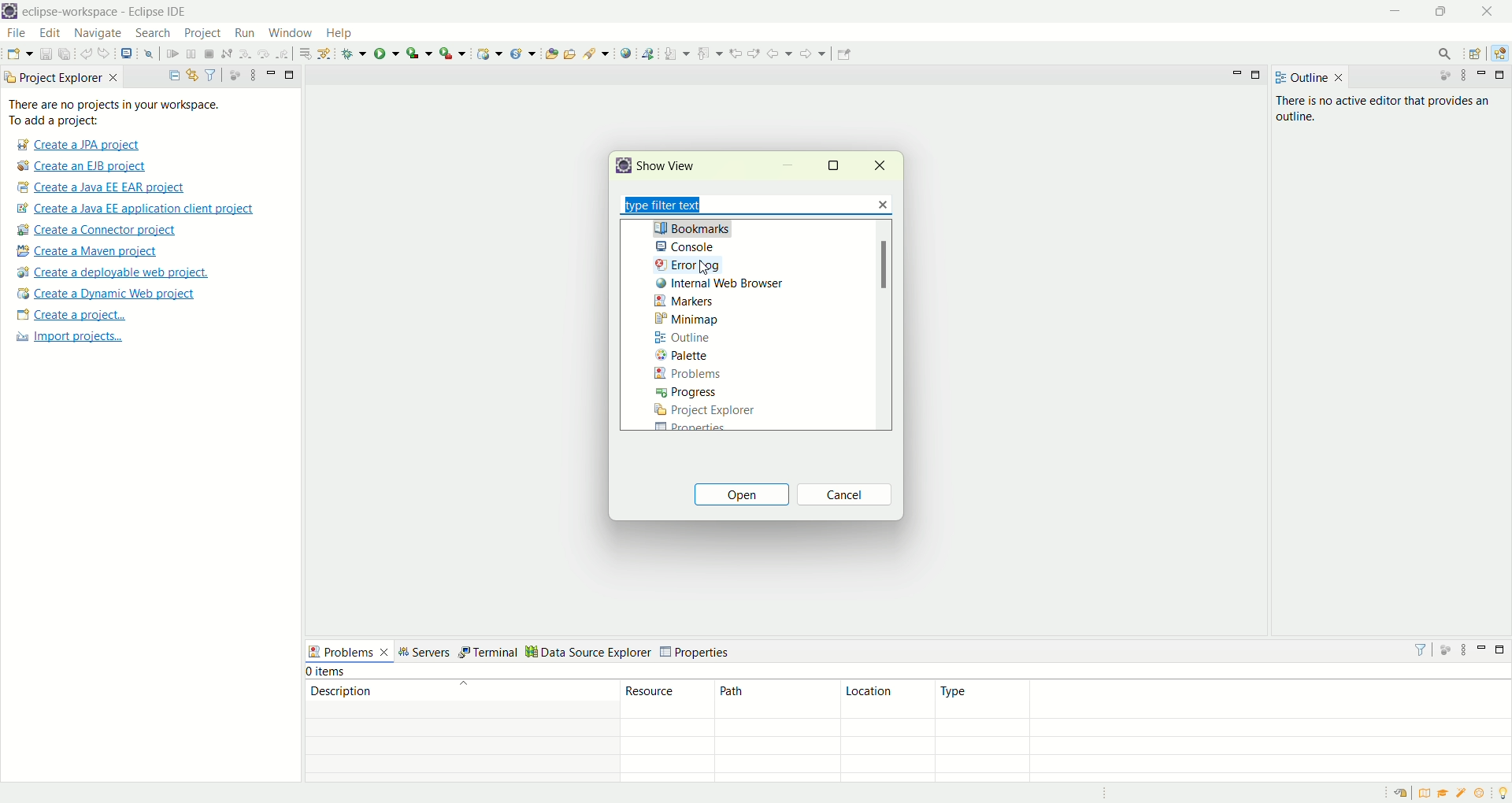 Image resolution: width=1512 pixels, height=803 pixels. What do you see at coordinates (813, 52) in the screenshot?
I see `forward` at bounding box center [813, 52].